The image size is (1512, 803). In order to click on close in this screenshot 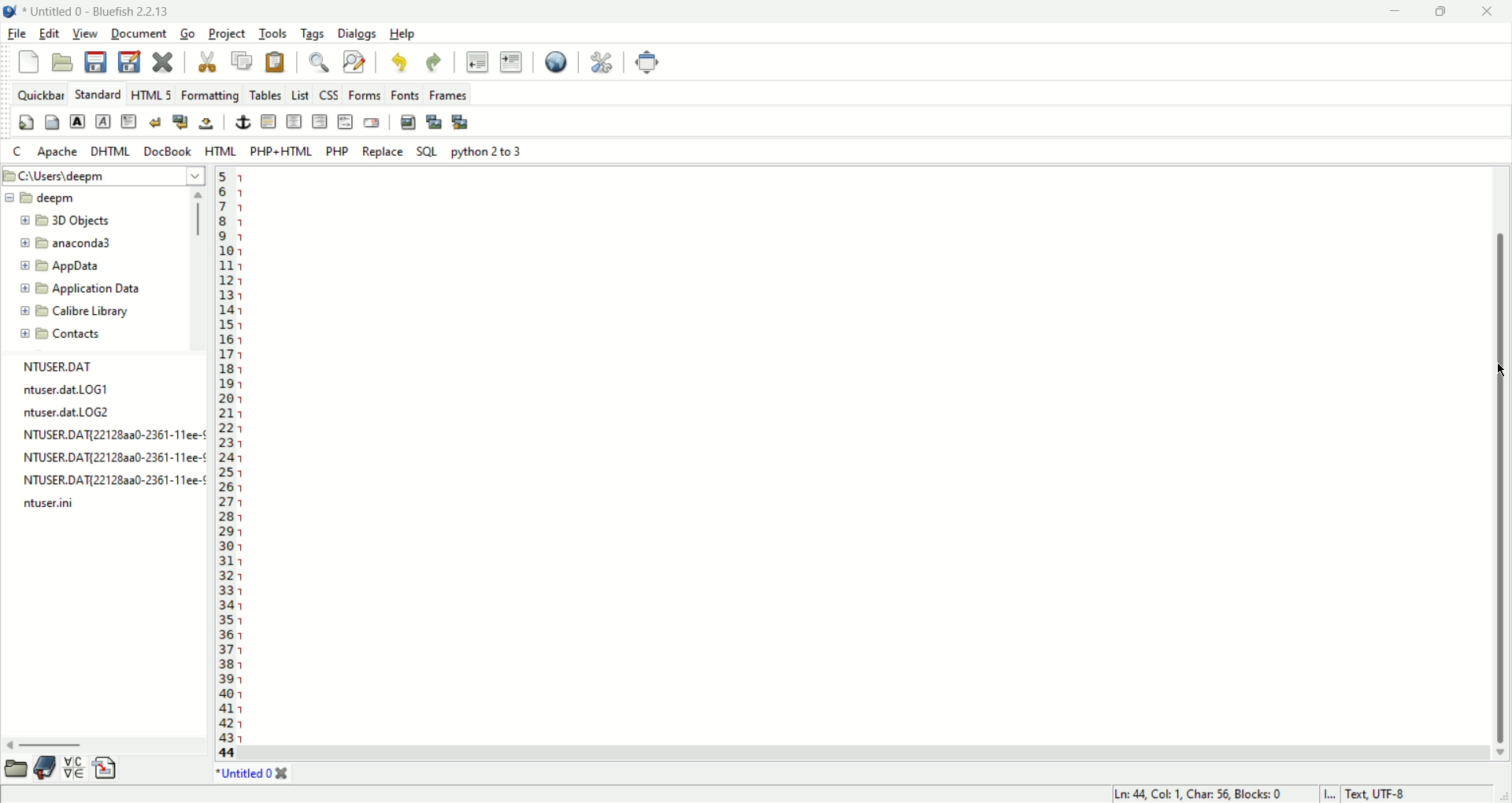, I will do `click(283, 774)`.